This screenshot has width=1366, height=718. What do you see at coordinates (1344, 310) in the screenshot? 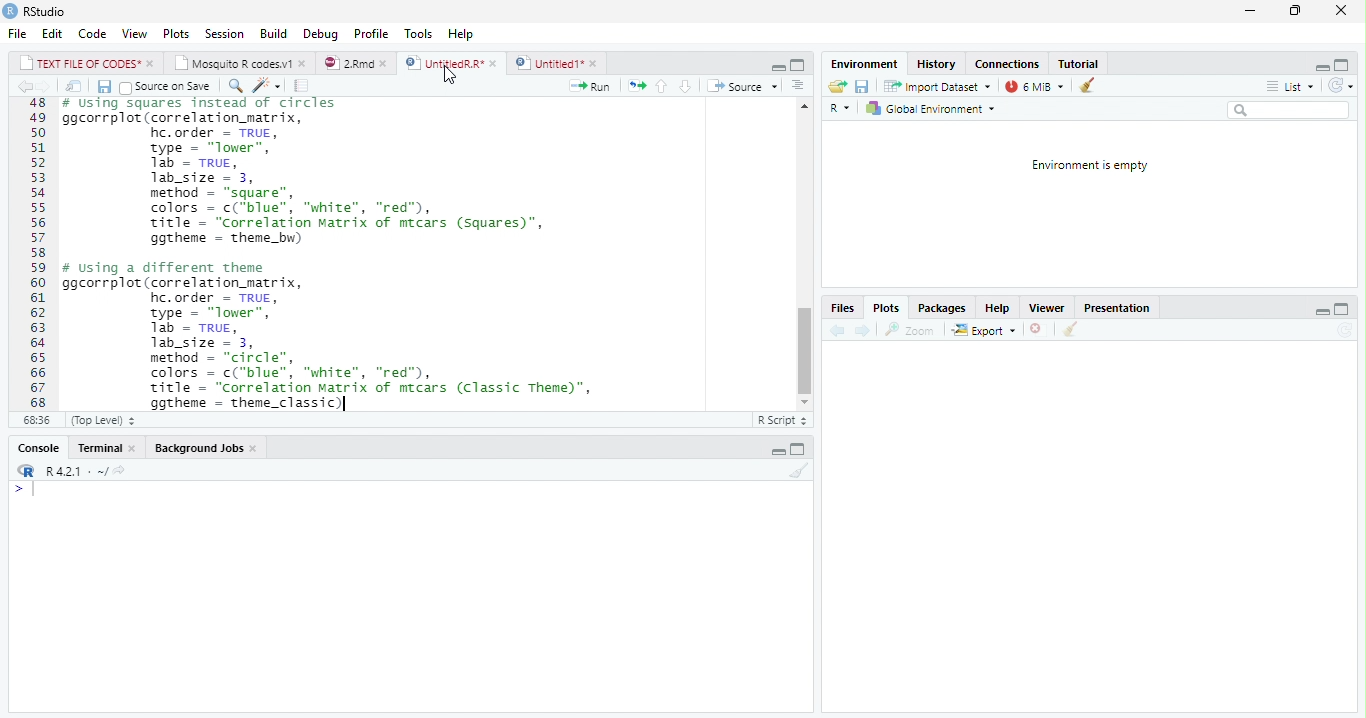
I see `hide console` at bounding box center [1344, 310].